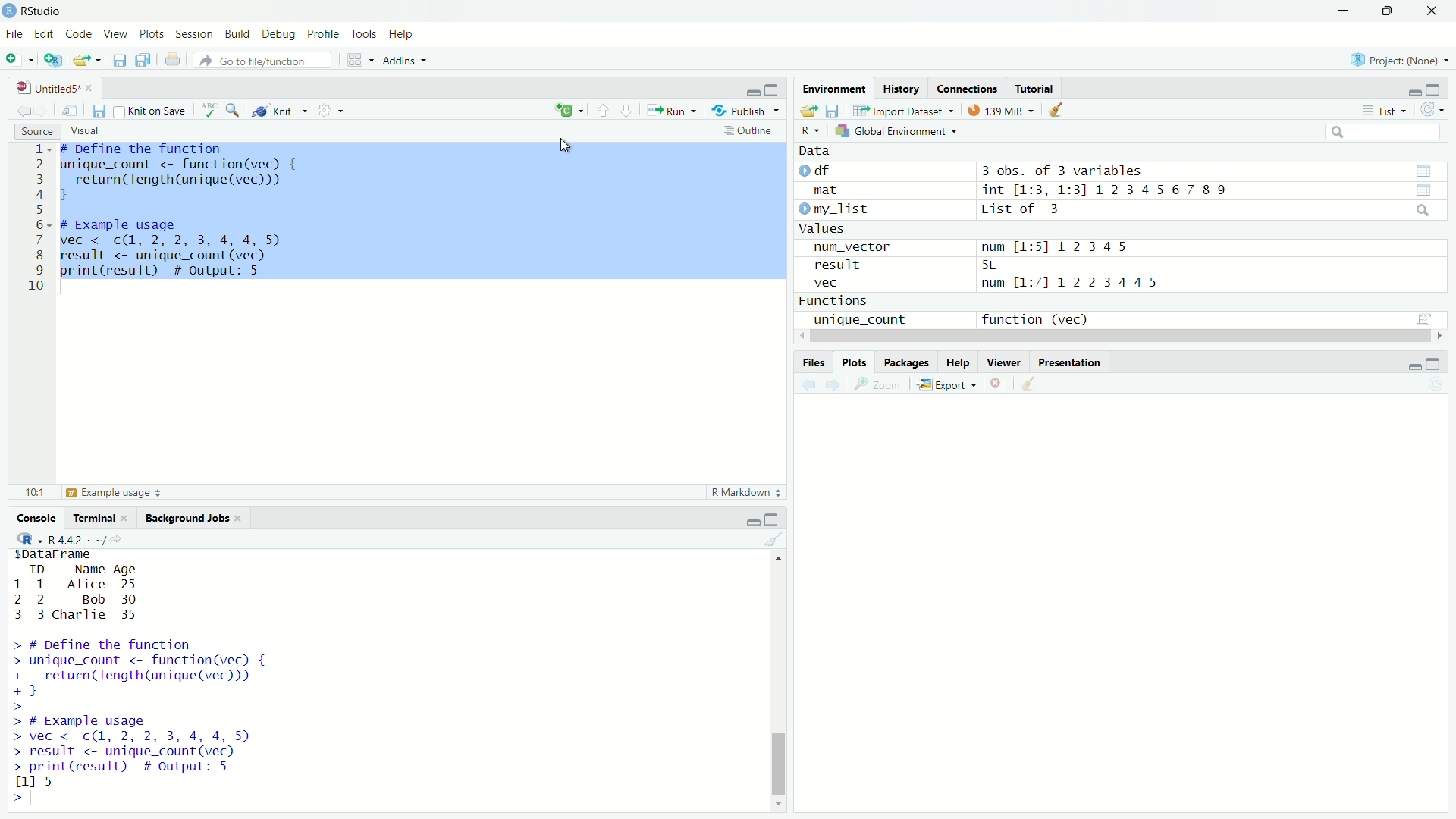 The height and width of the screenshot is (819, 1456). What do you see at coordinates (1422, 210) in the screenshot?
I see `search` at bounding box center [1422, 210].